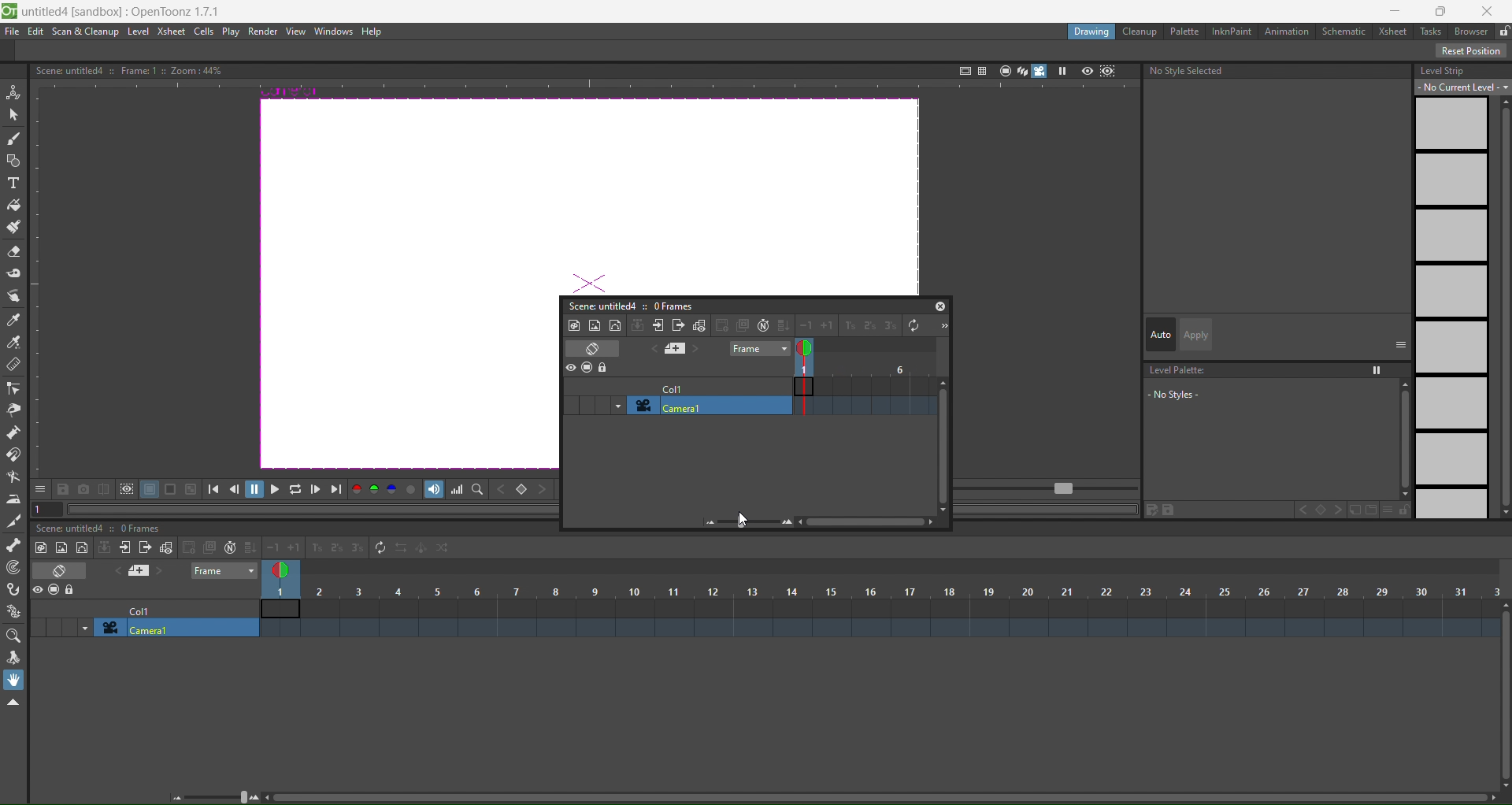  What do you see at coordinates (14, 607) in the screenshot?
I see `plastic tool` at bounding box center [14, 607].